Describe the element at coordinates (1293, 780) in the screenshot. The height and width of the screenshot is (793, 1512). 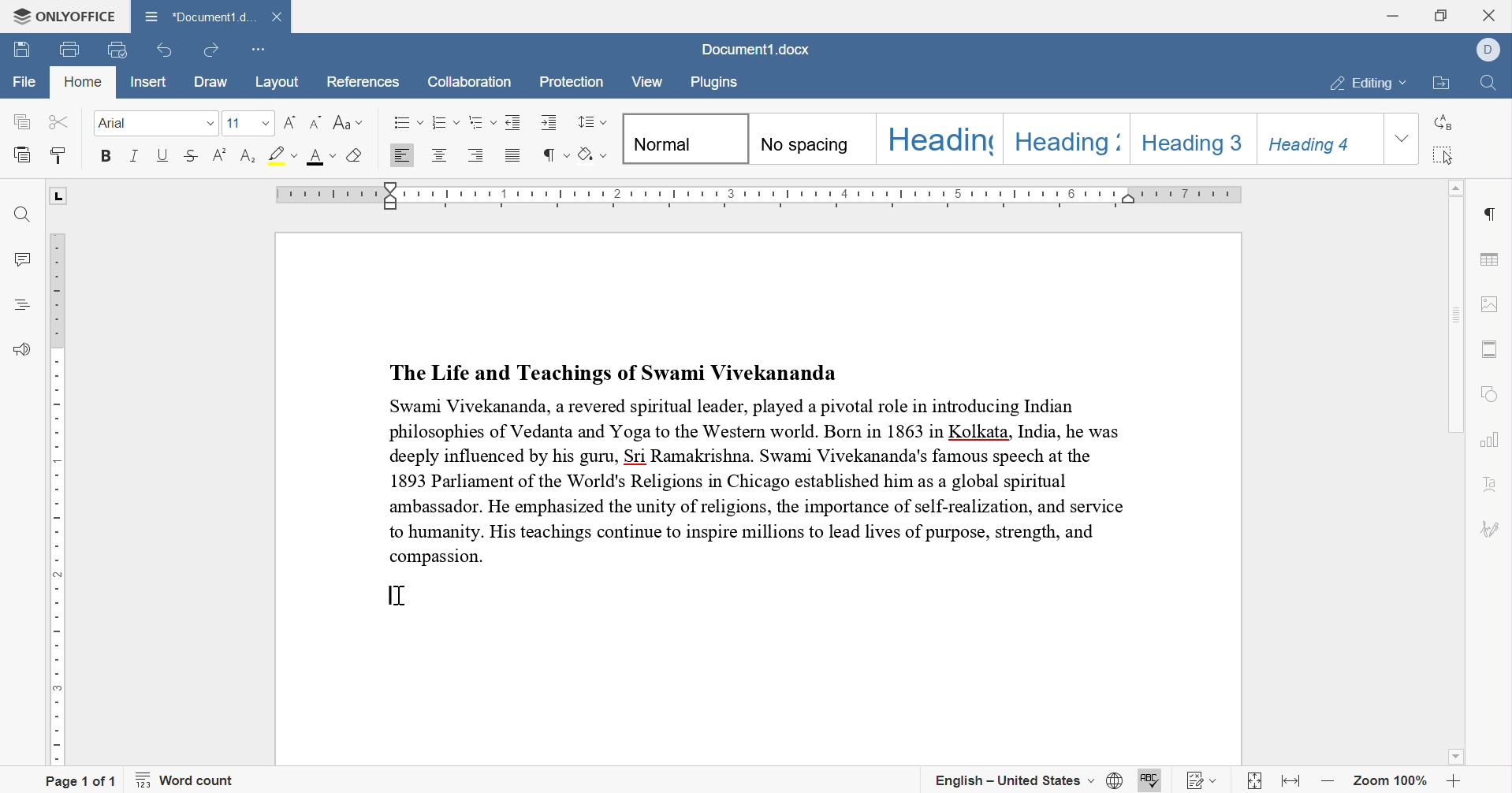
I see `fit to page` at that location.